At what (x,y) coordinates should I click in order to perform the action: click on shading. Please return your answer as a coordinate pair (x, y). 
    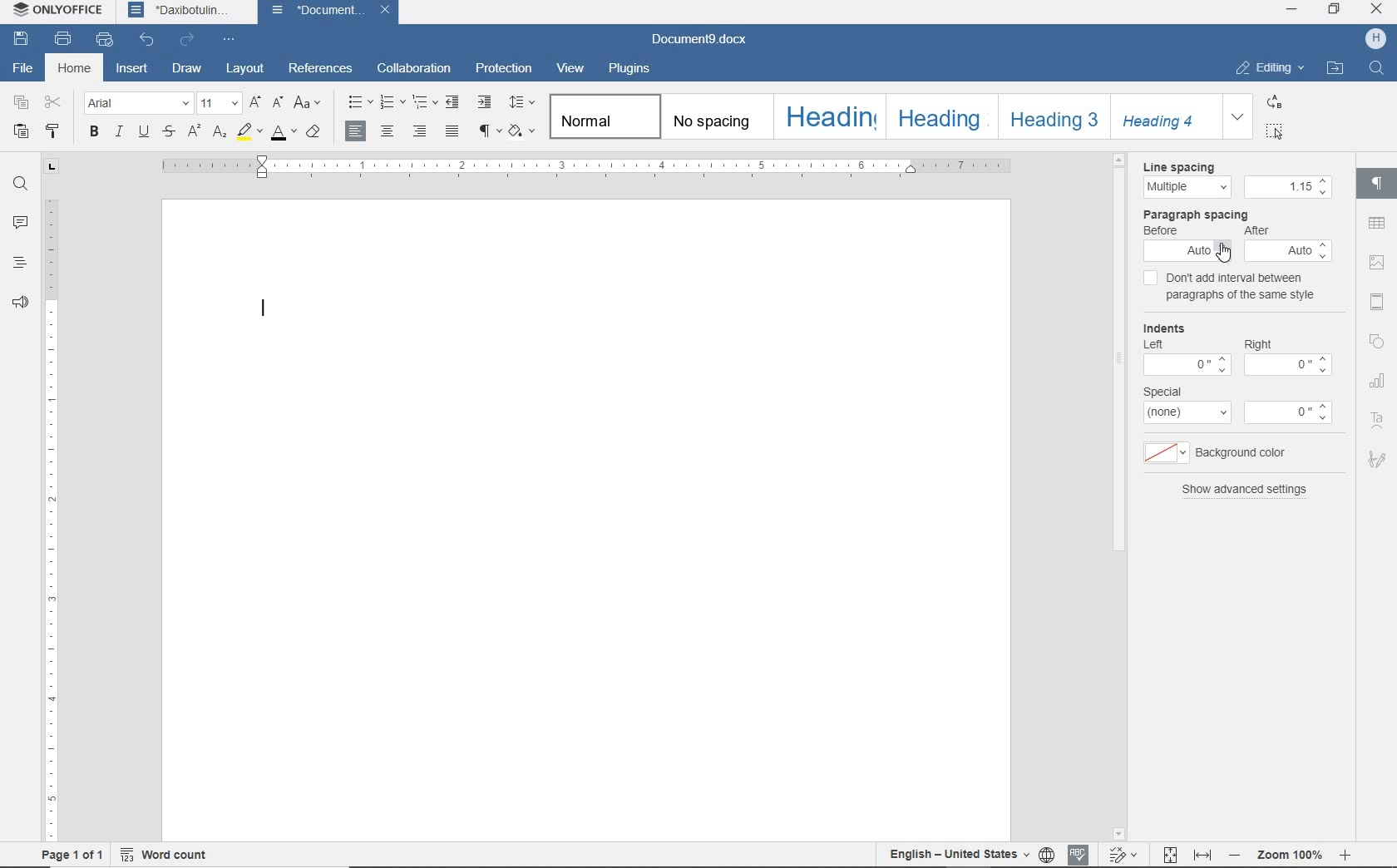
    Looking at the image, I should click on (523, 133).